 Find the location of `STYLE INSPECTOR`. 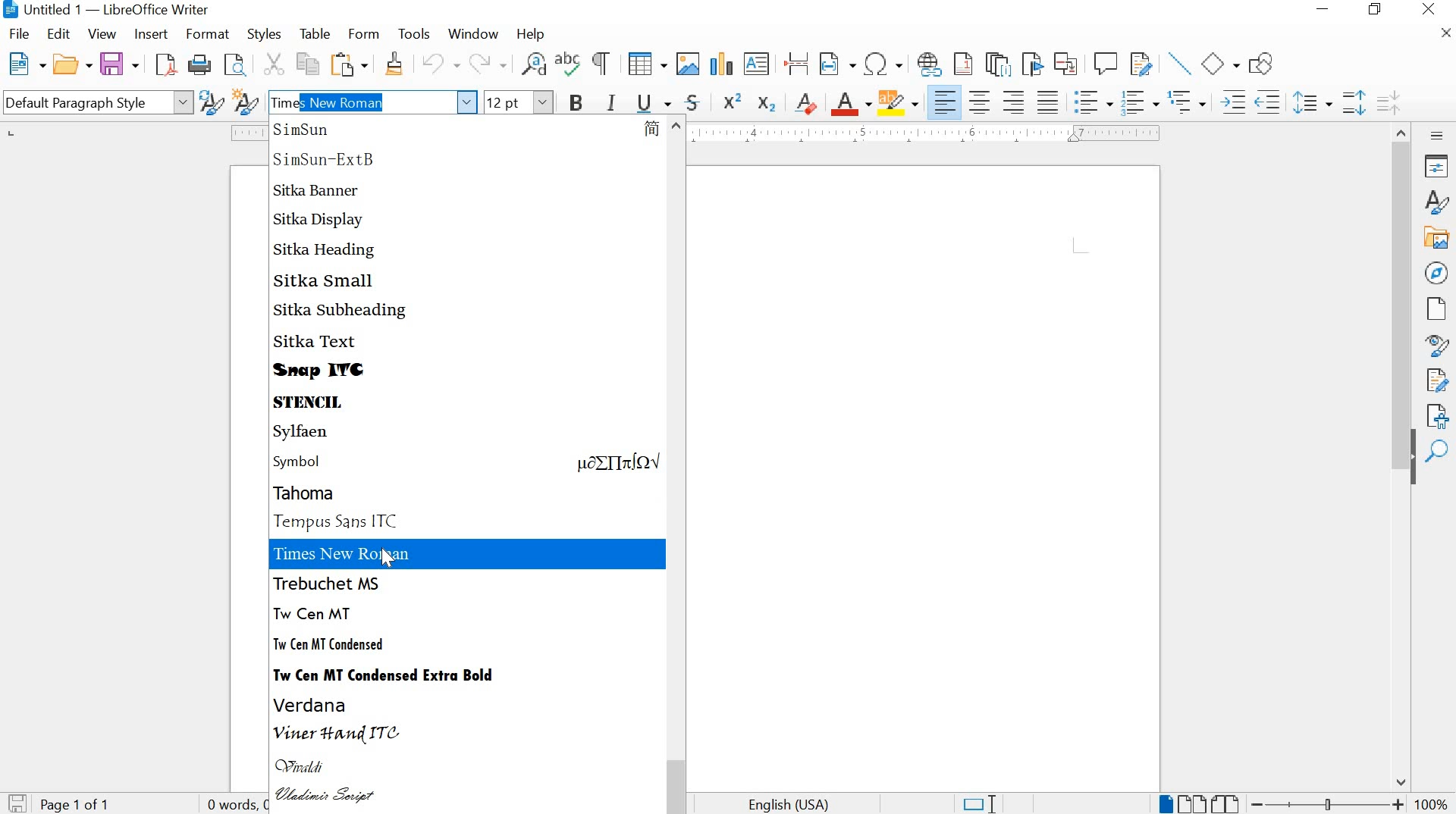

STYLE INSPECTOR is located at coordinates (1436, 344).